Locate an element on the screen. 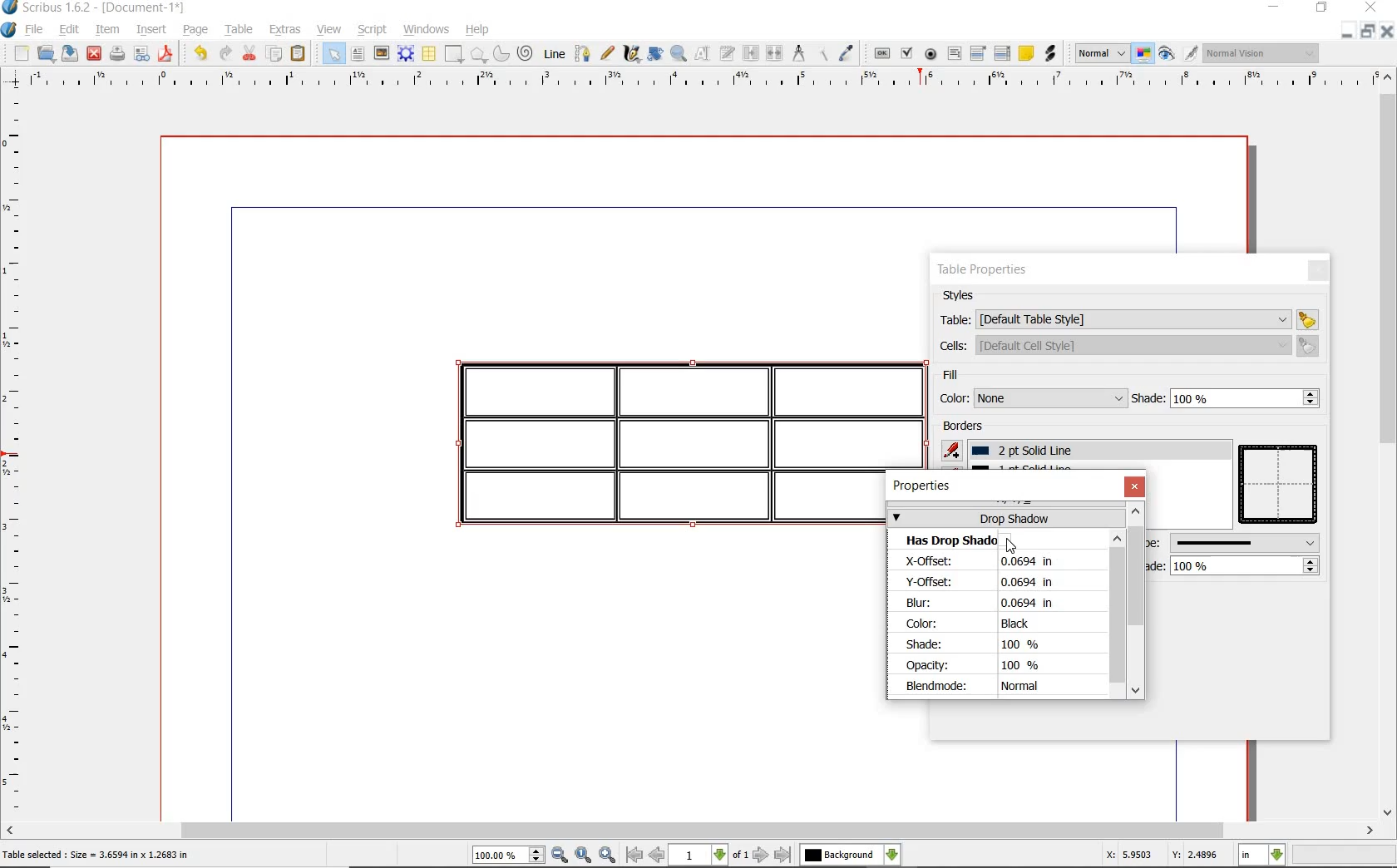 The width and height of the screenshot is (1397, 868). visual appearance of the display is located at coordinates (1266, 55).